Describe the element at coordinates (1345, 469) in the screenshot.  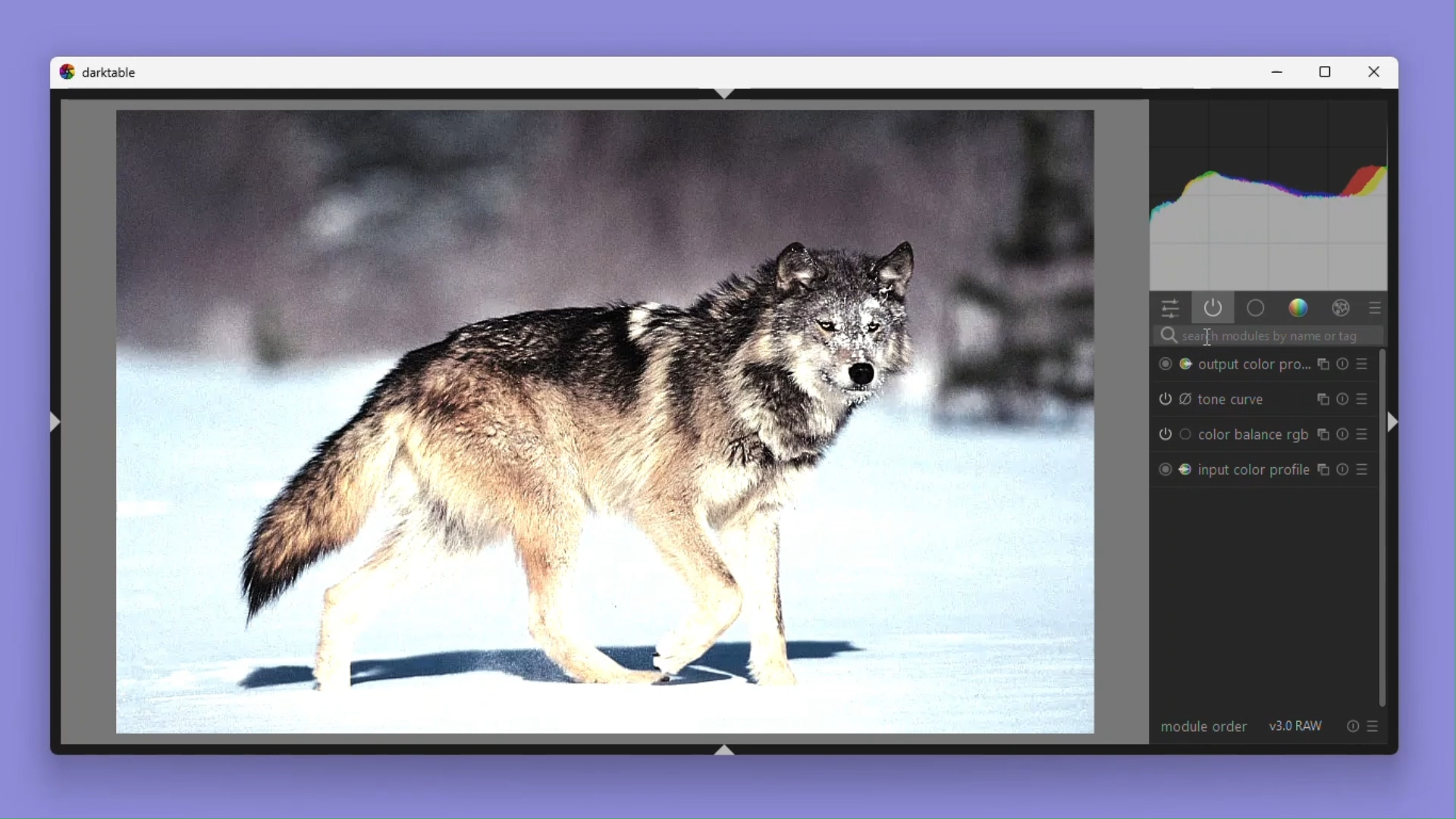
I see `Reset ` at that location.